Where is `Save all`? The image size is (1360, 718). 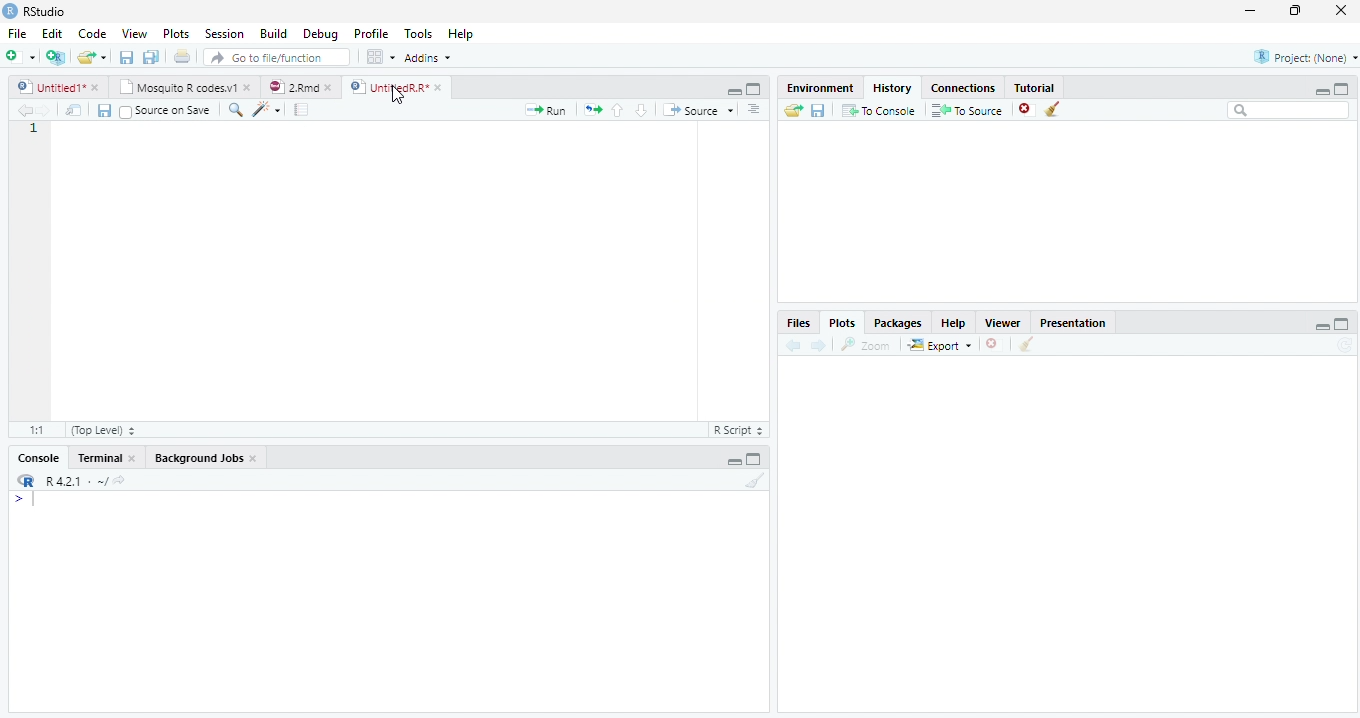 Save all is located at coordinates (153, 58).